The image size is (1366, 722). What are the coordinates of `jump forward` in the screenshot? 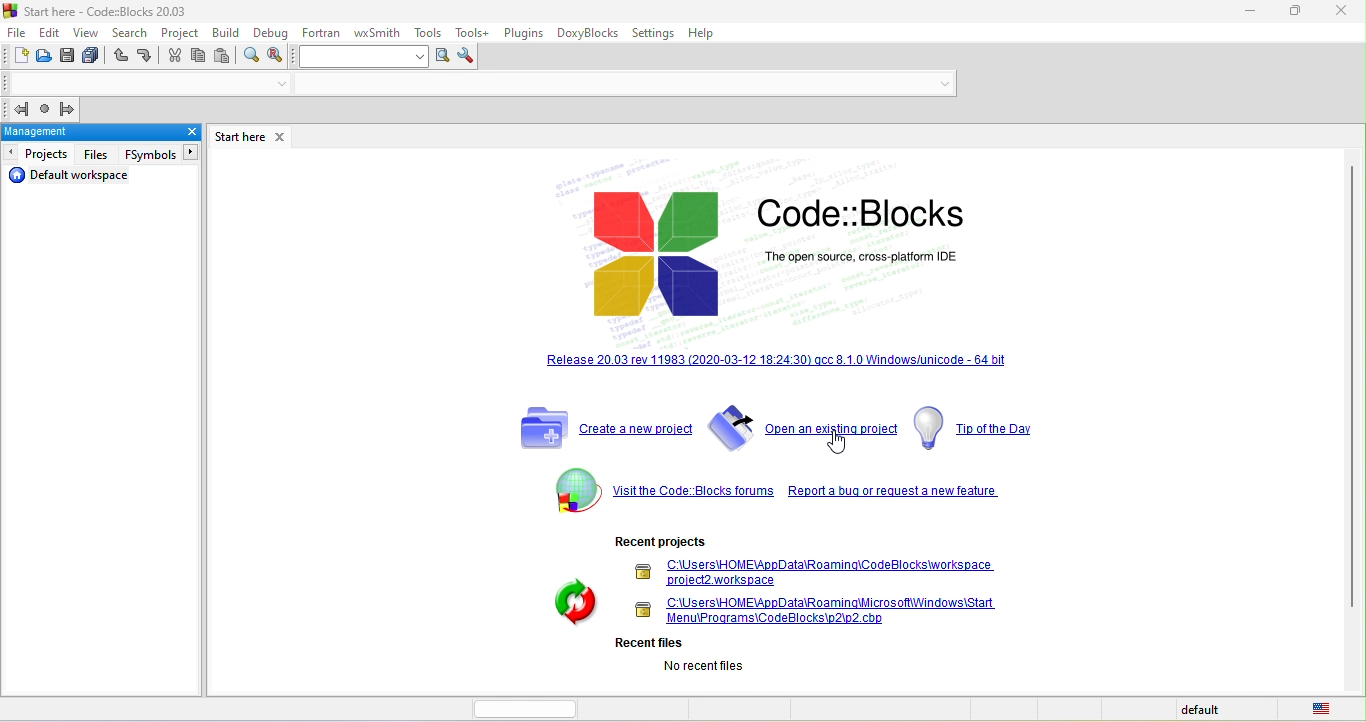 It's located at (71, 107).